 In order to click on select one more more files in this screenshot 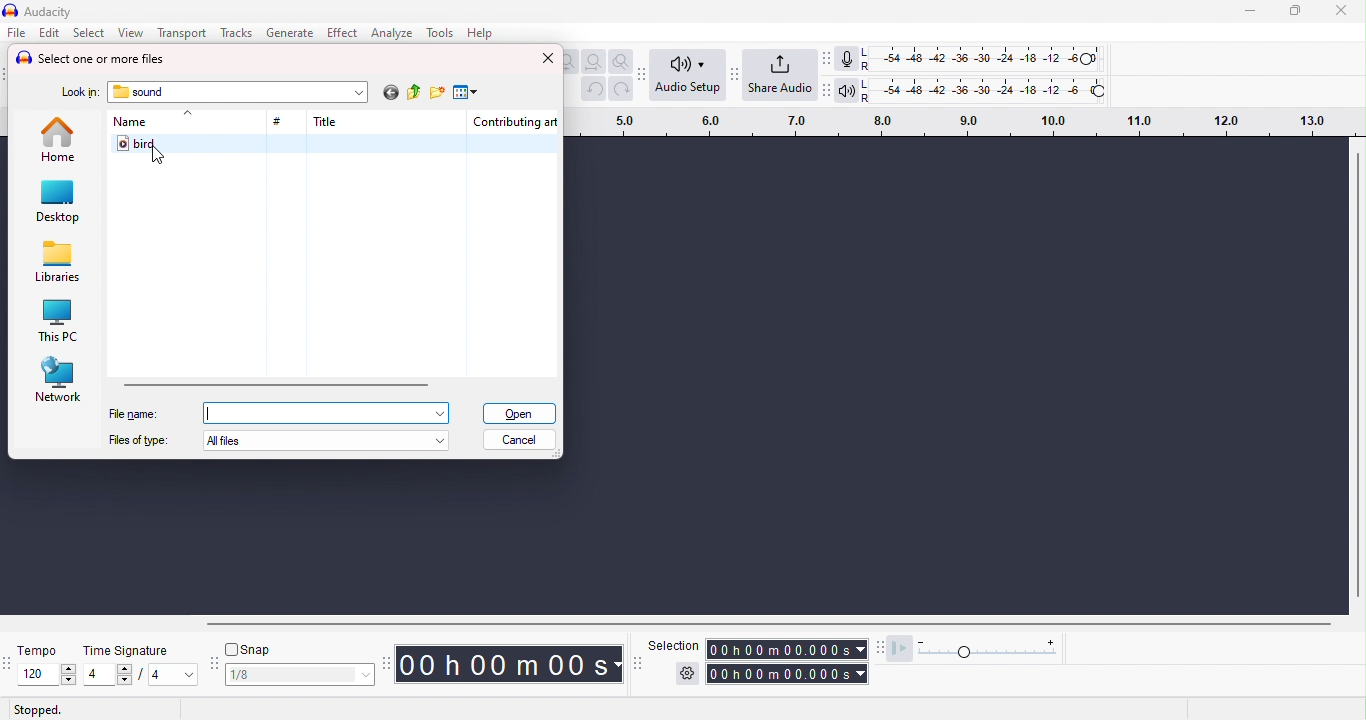, I will do `click(91, 59)`.